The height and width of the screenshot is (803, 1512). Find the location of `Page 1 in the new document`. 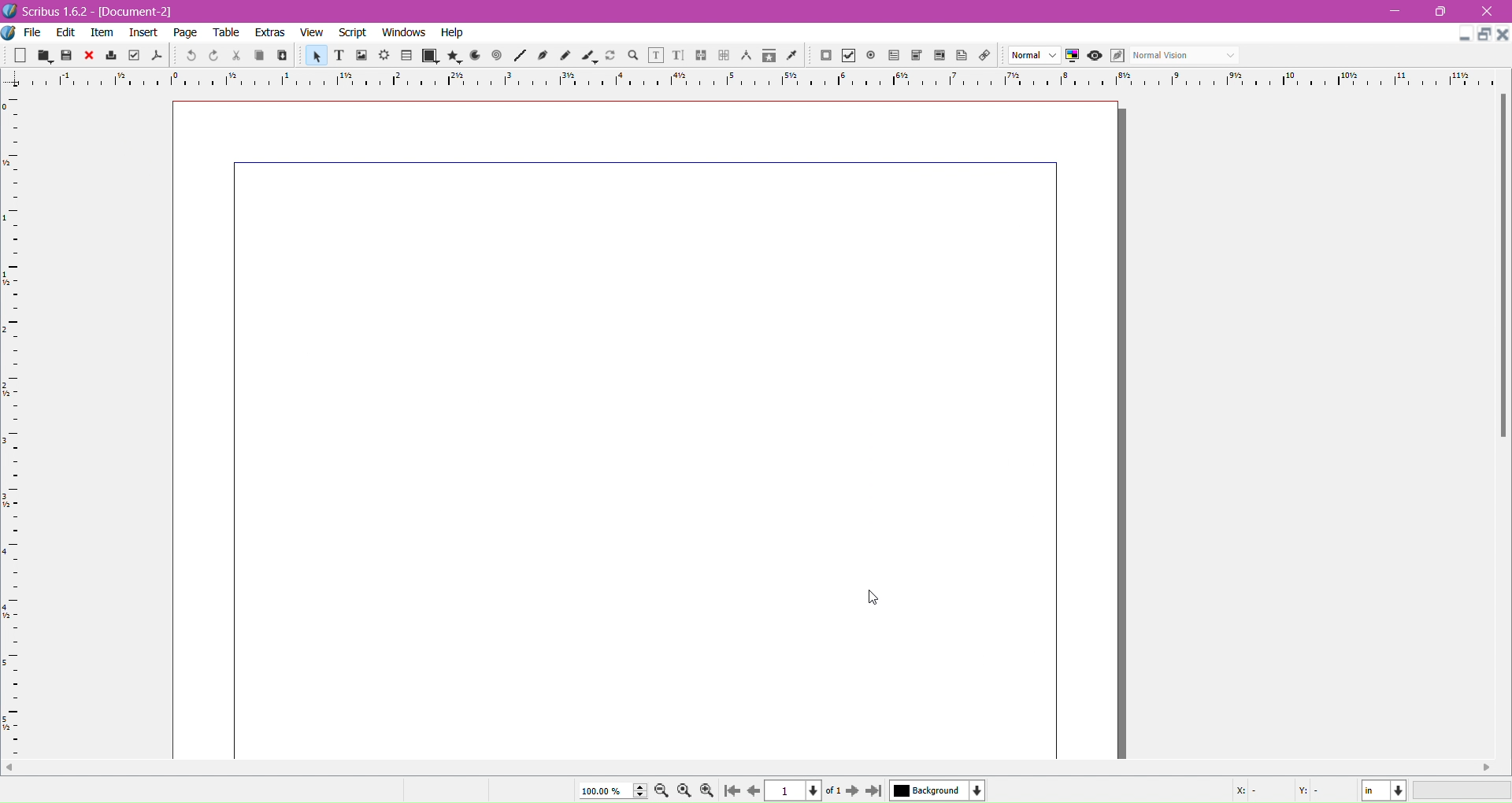

Page 1 in the new document is located at coordinates (647, 428).